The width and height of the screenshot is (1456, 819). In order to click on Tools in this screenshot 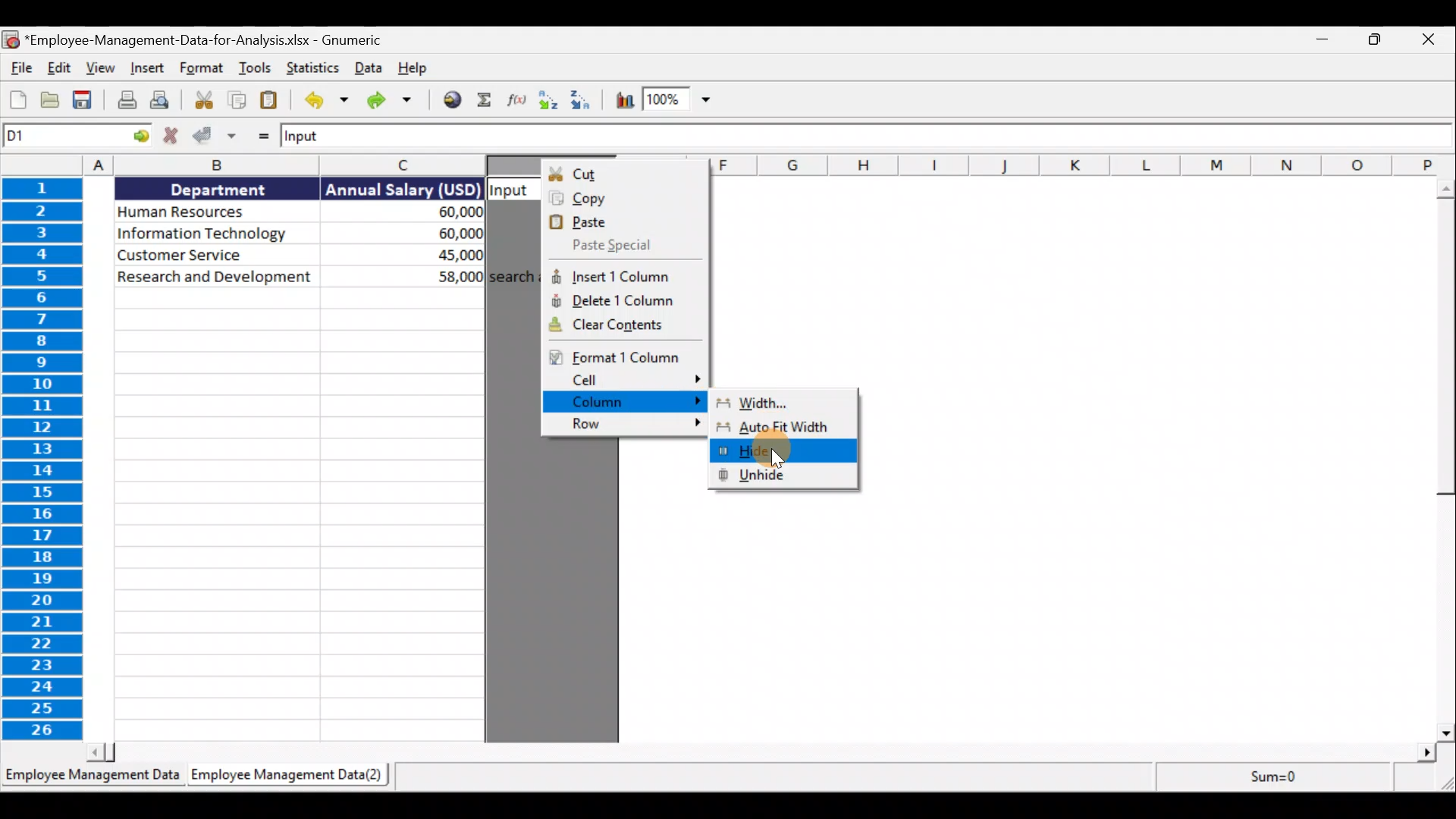, I will do `click(257, 66)`.